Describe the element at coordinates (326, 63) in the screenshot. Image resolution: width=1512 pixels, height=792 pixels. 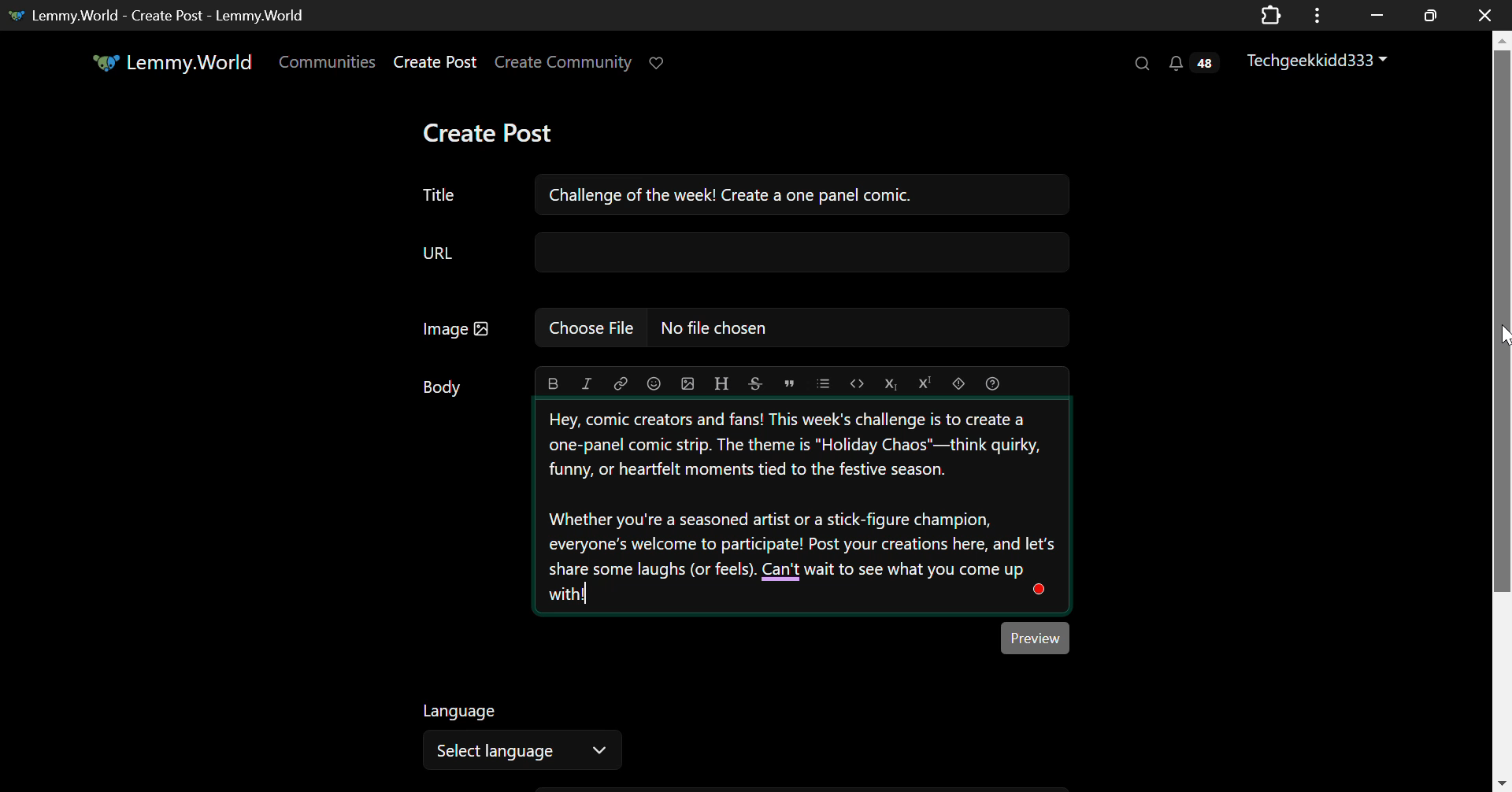
I see `Communities` at that location.